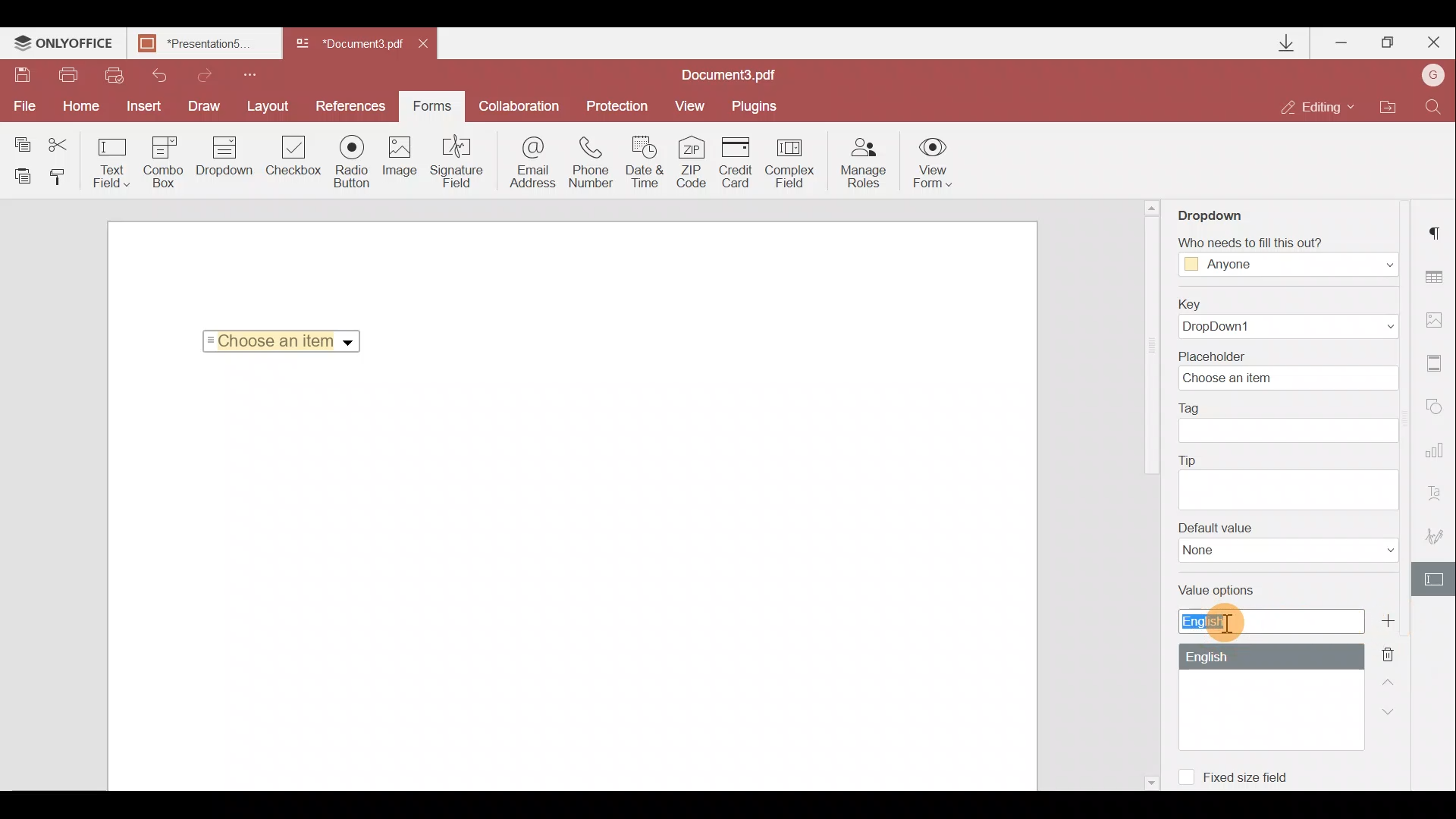 The image size is (1456, 819). I want to click on Key, so click(1282, 318).